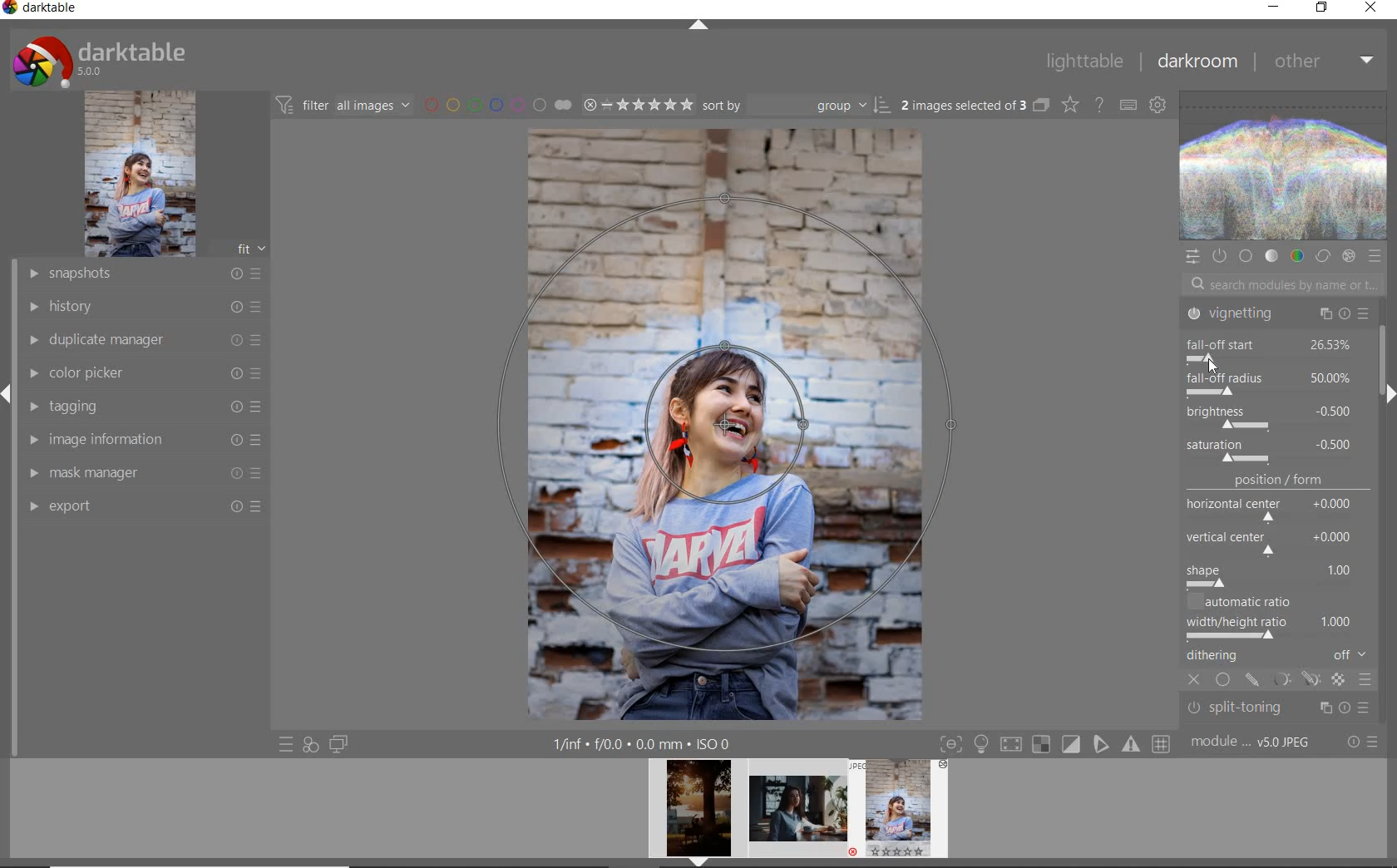 Image resolution: width=1397 pixels, height=868 pixels. What do you see at coordinates (1098, 103) in the screenshot?
I see `ENABLE ONLINE FOR HELP` at bounding box center [1098, 103].